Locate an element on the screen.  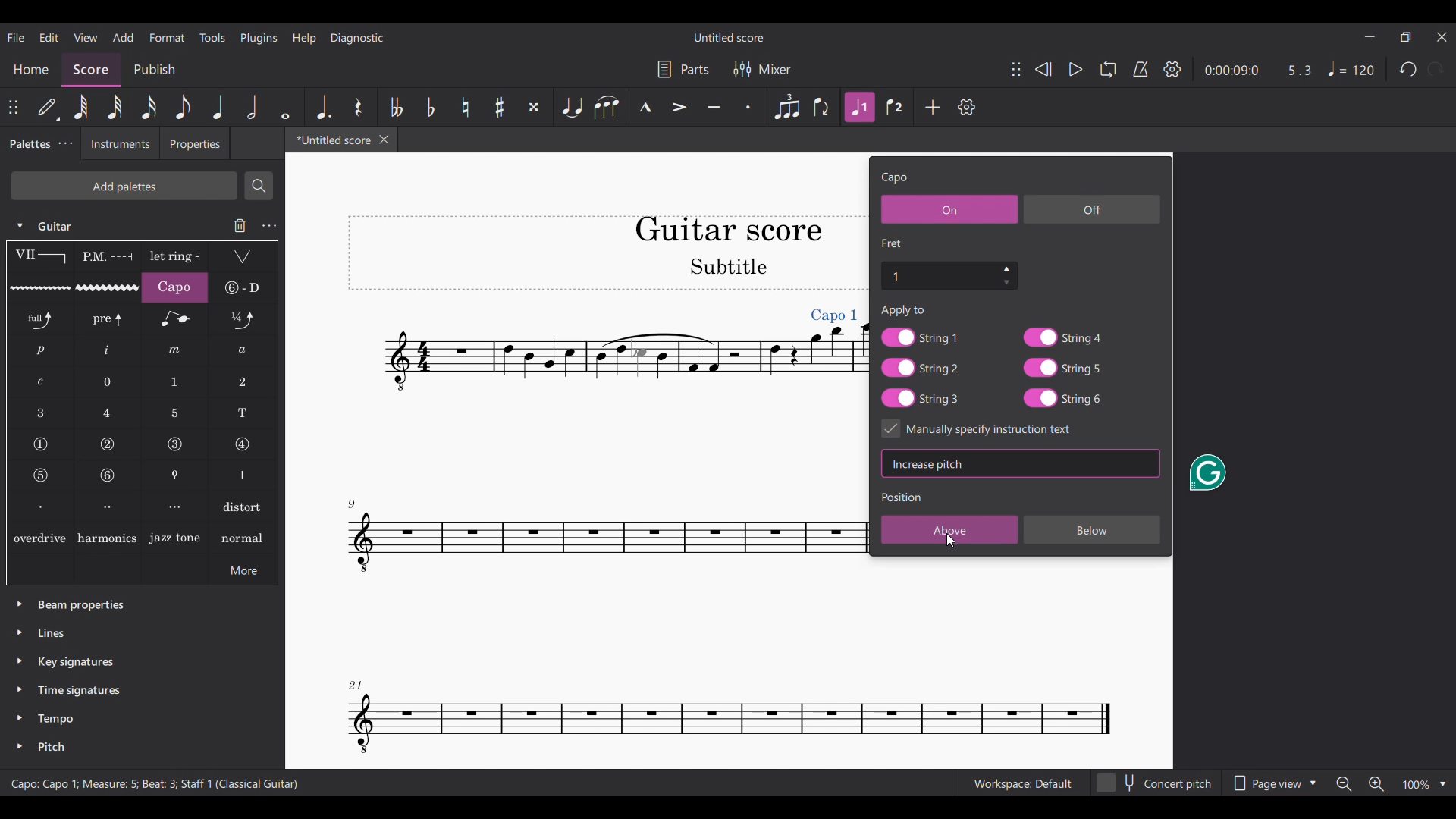
Click to expand key signatures palette is located at coordinates (20, 661).